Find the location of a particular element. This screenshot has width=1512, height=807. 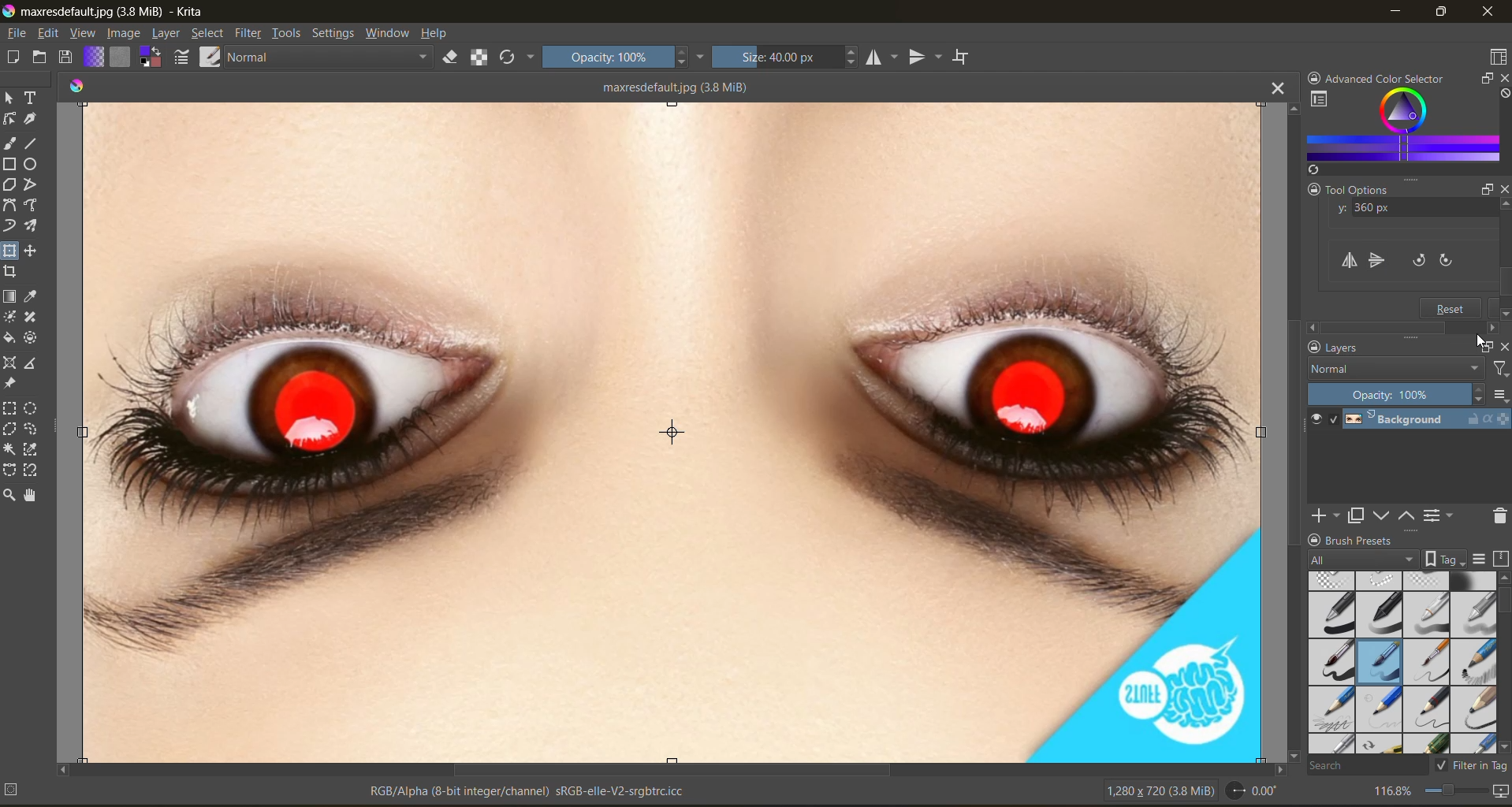

advanced color selector is located at coordinates (1402, 127).